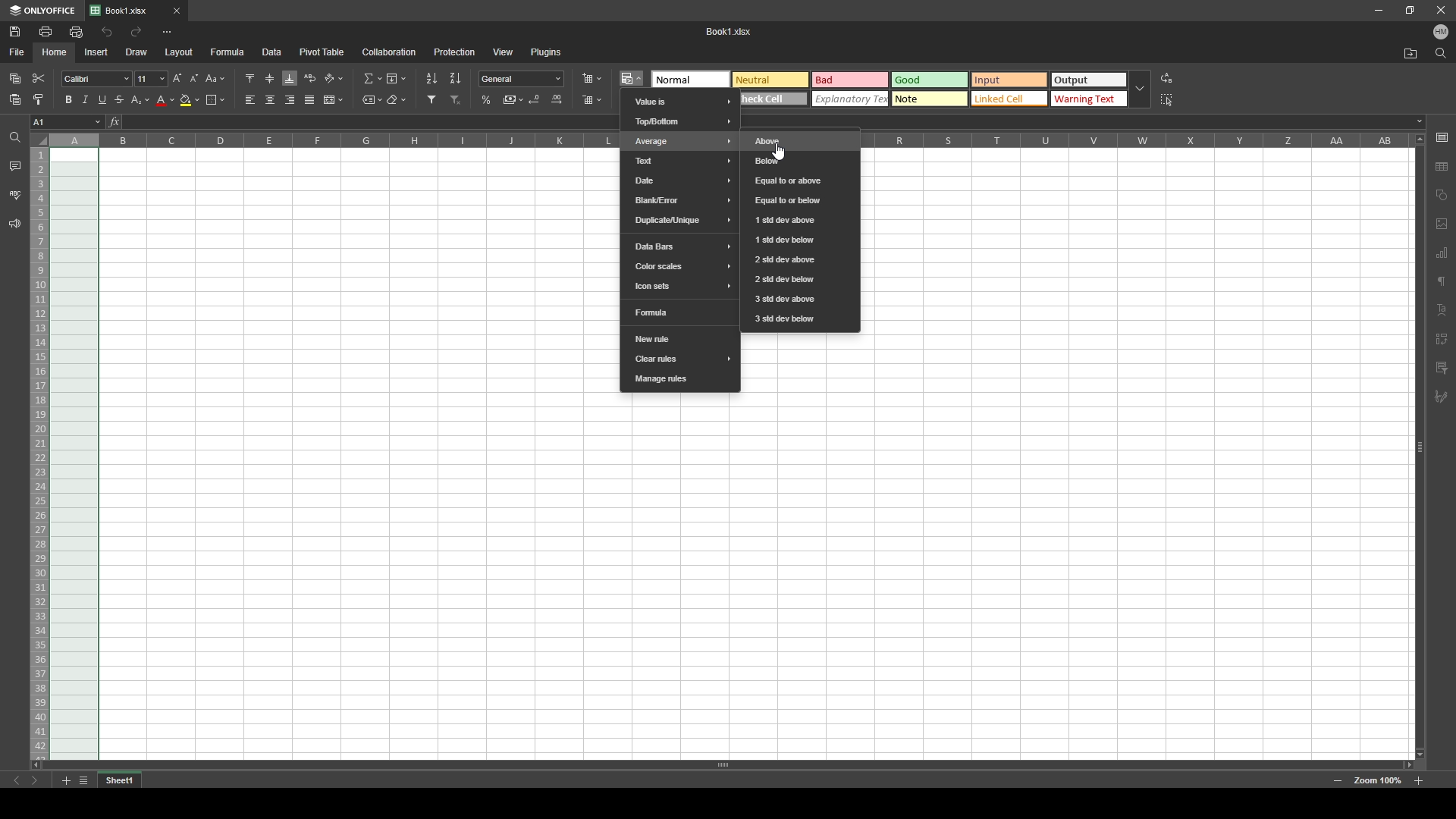 The width and height of the screenshot is (1456, 819). Describe the element at coordinates (591, 79) in the screenshot. I see `insert cells` at that location.